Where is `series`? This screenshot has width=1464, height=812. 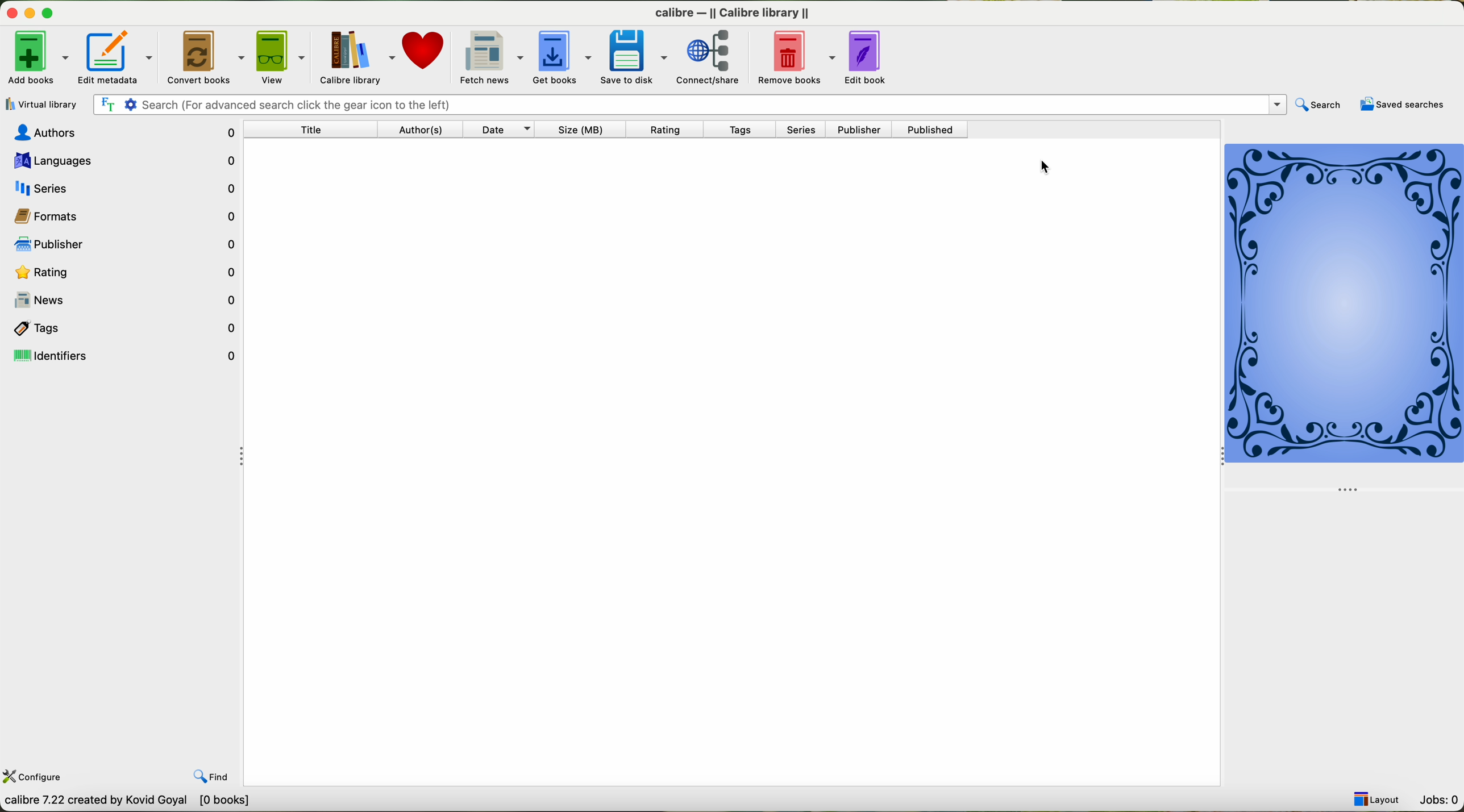
series is located at coordinates (122, 186).